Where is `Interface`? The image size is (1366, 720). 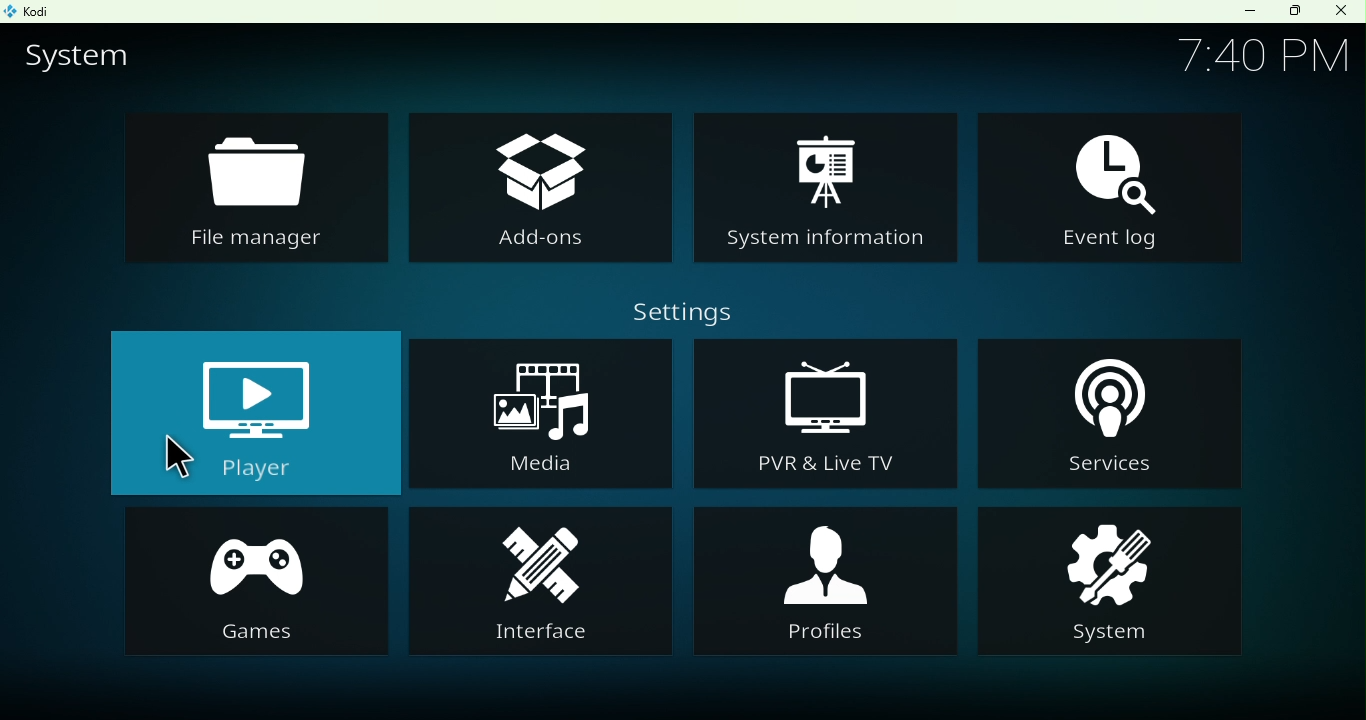 Interface is located at coordinates (540, 583).